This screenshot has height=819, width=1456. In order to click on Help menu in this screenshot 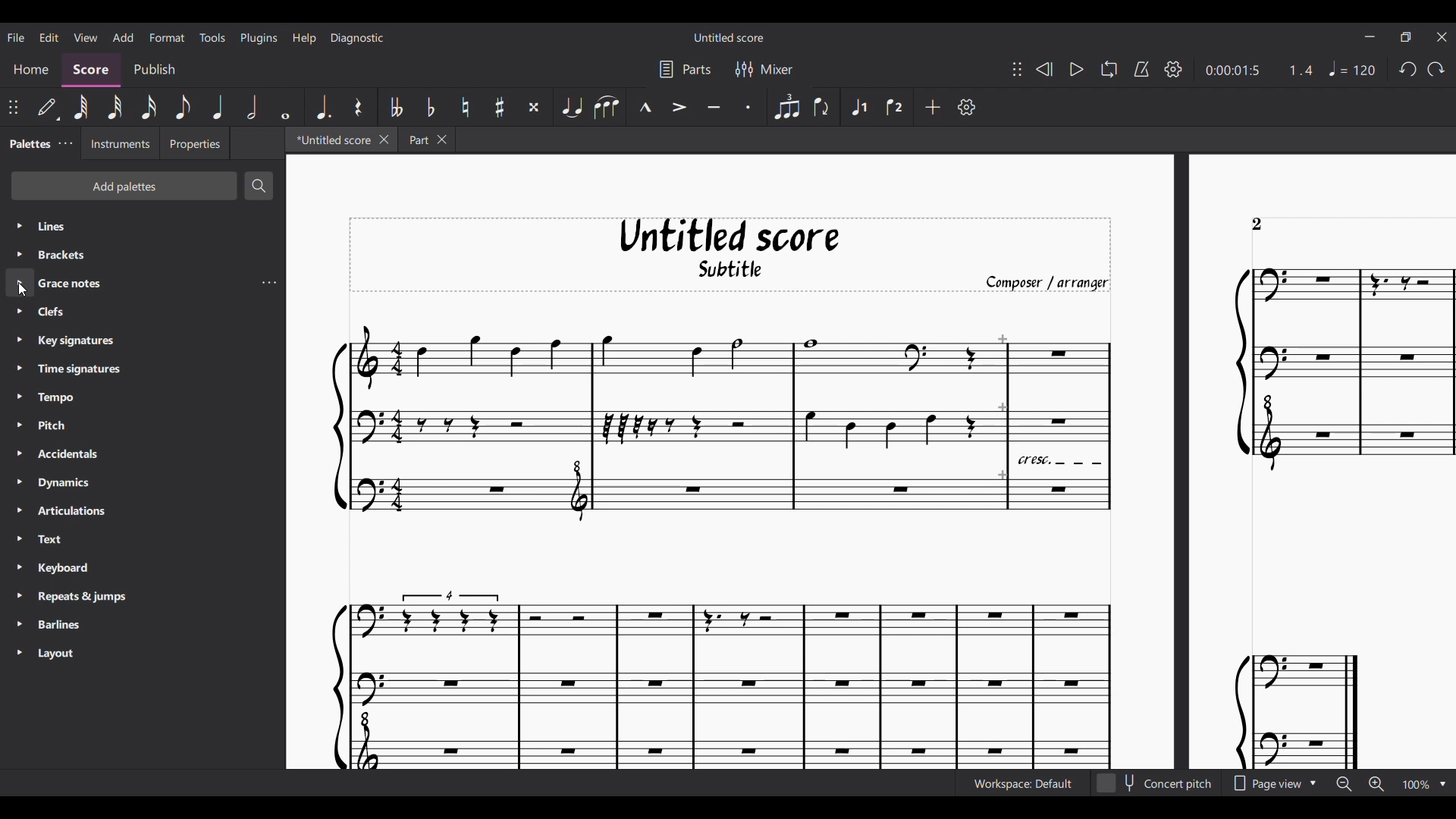, I will do `click(305, 38)`.